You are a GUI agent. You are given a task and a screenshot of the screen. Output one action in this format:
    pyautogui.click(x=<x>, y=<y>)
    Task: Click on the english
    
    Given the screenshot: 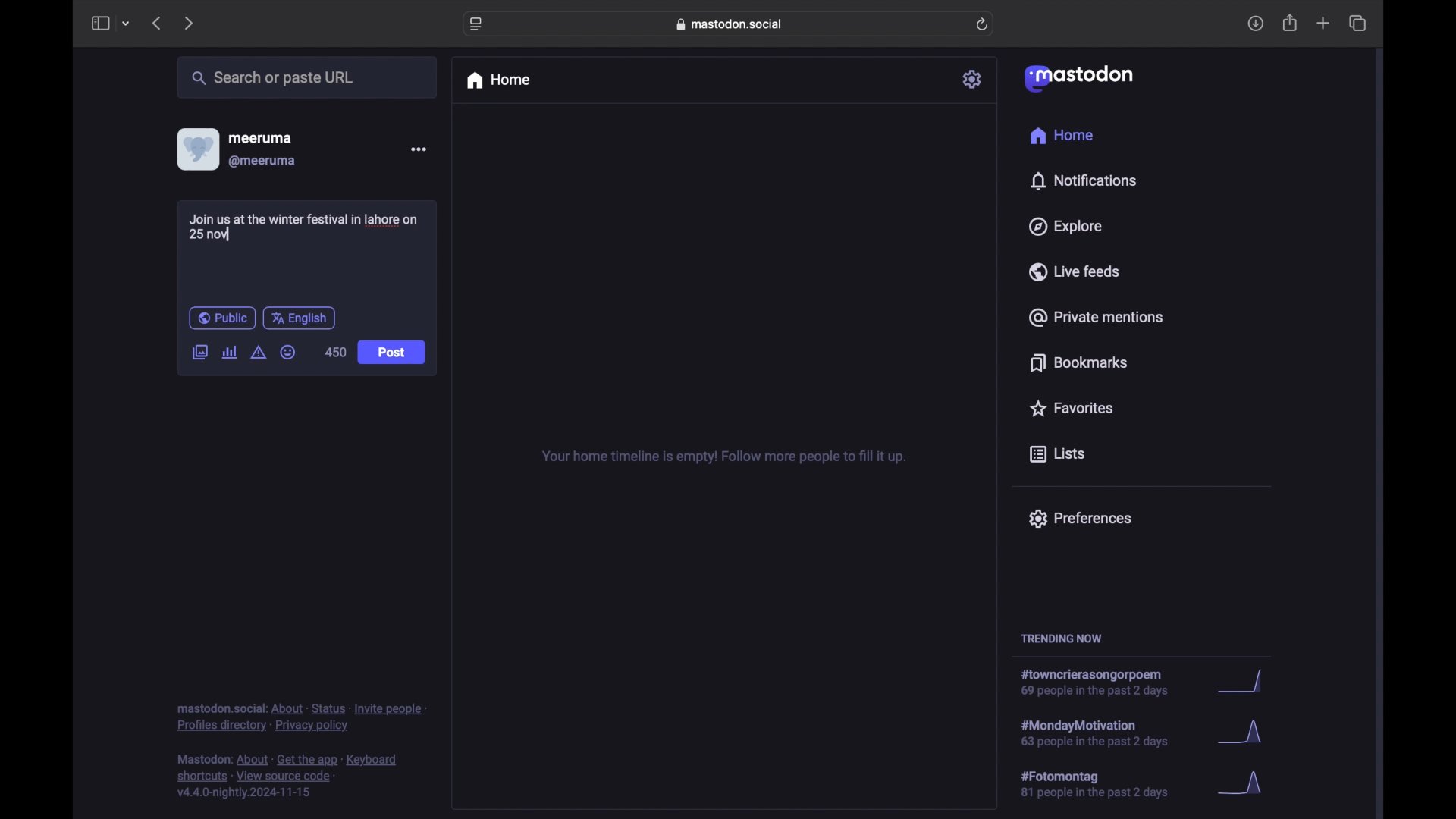 What is the action you would take?
    pyautogui.click(x=300, y=318)
    